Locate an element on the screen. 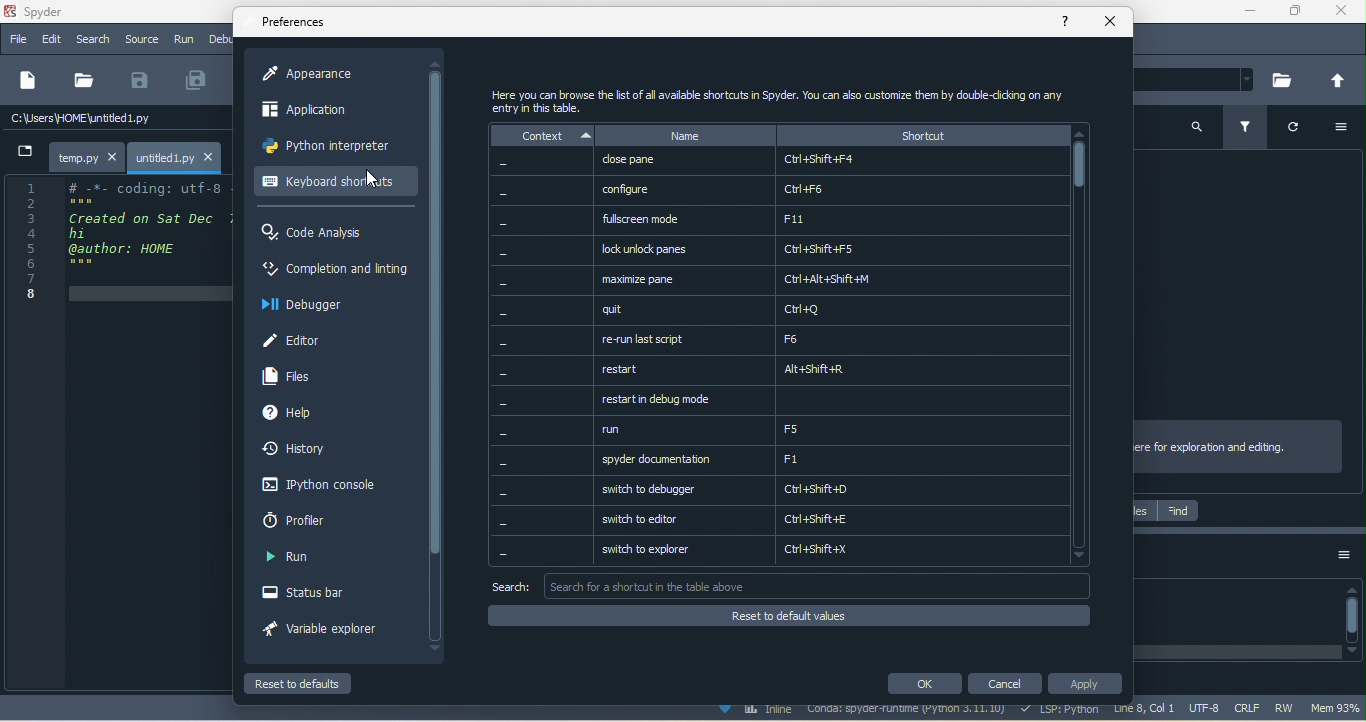 The image size is (1366, 722). lock unlock panes is located at coordinates (829, 248).